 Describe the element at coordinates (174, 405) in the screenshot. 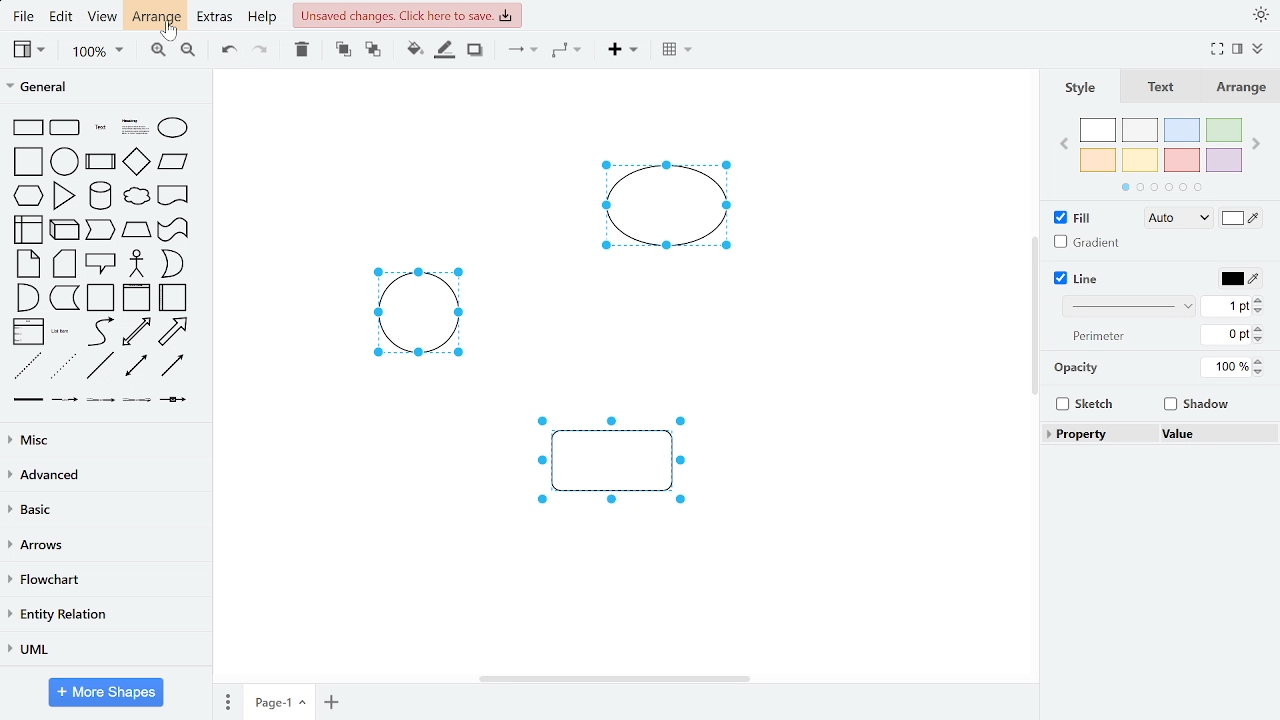

I see `Connector with symbol` at that location.